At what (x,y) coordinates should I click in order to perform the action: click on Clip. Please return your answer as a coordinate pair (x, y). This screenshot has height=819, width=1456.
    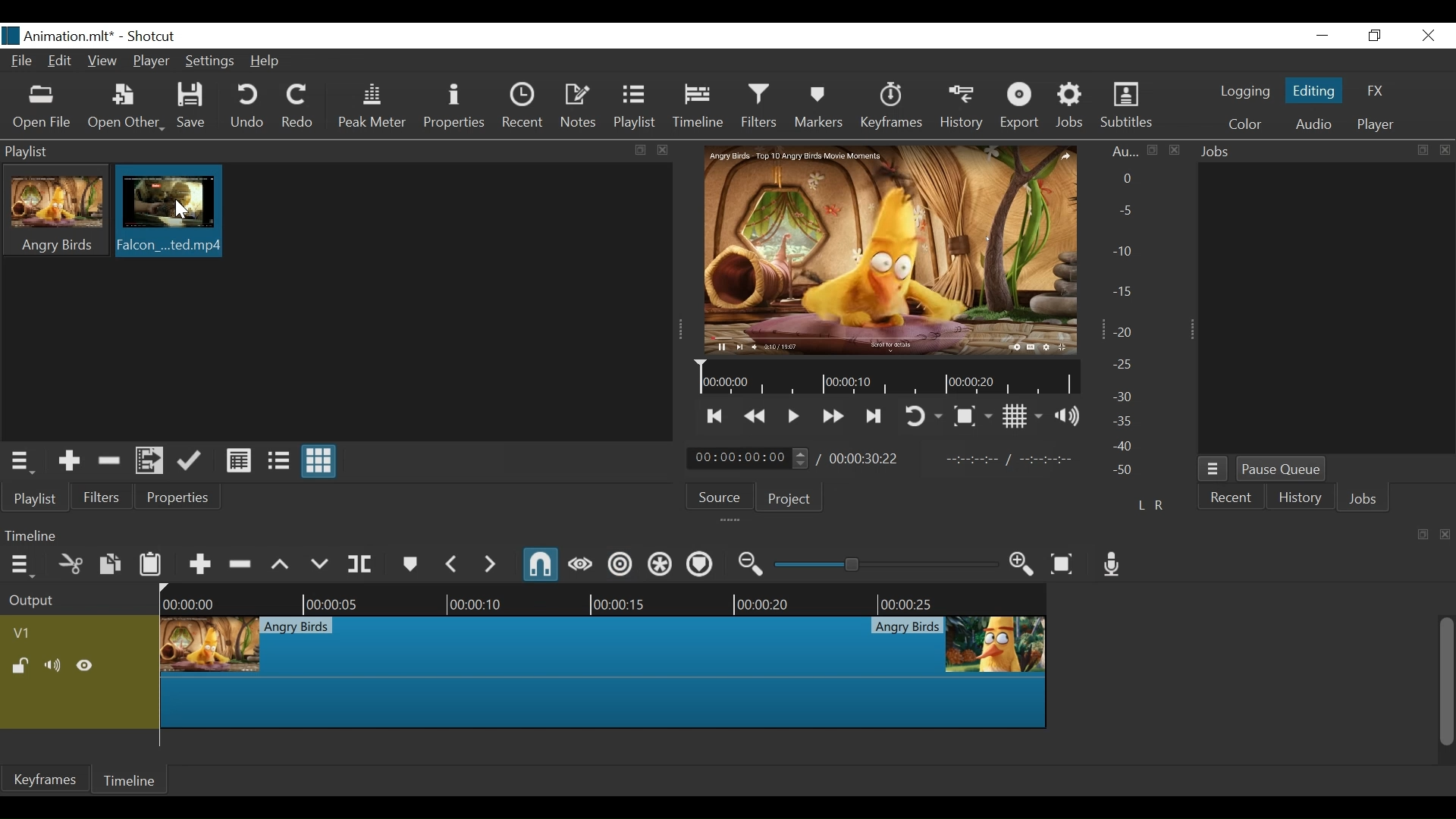
    Looking at the image, I should click on (170, 212).